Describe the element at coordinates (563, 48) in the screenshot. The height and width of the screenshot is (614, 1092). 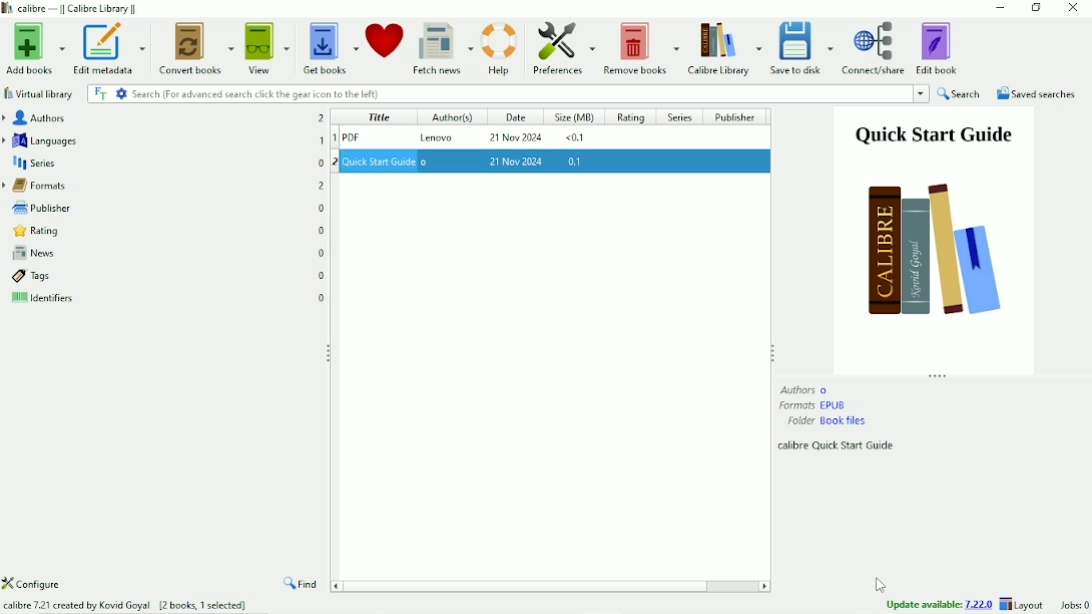
I see `Preferences` at that location.